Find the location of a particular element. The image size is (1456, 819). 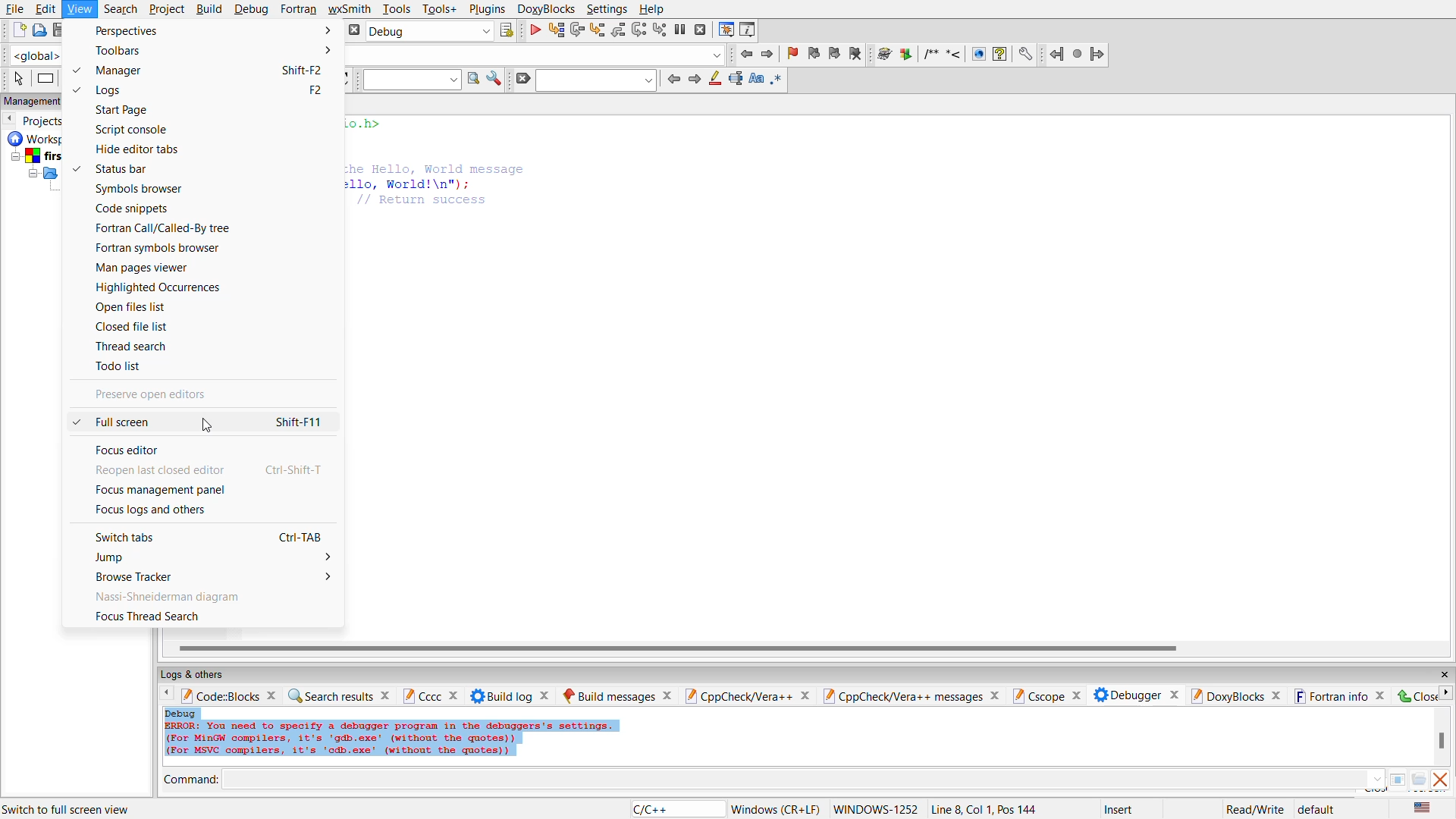

logs is located at coordinates (215, 90).